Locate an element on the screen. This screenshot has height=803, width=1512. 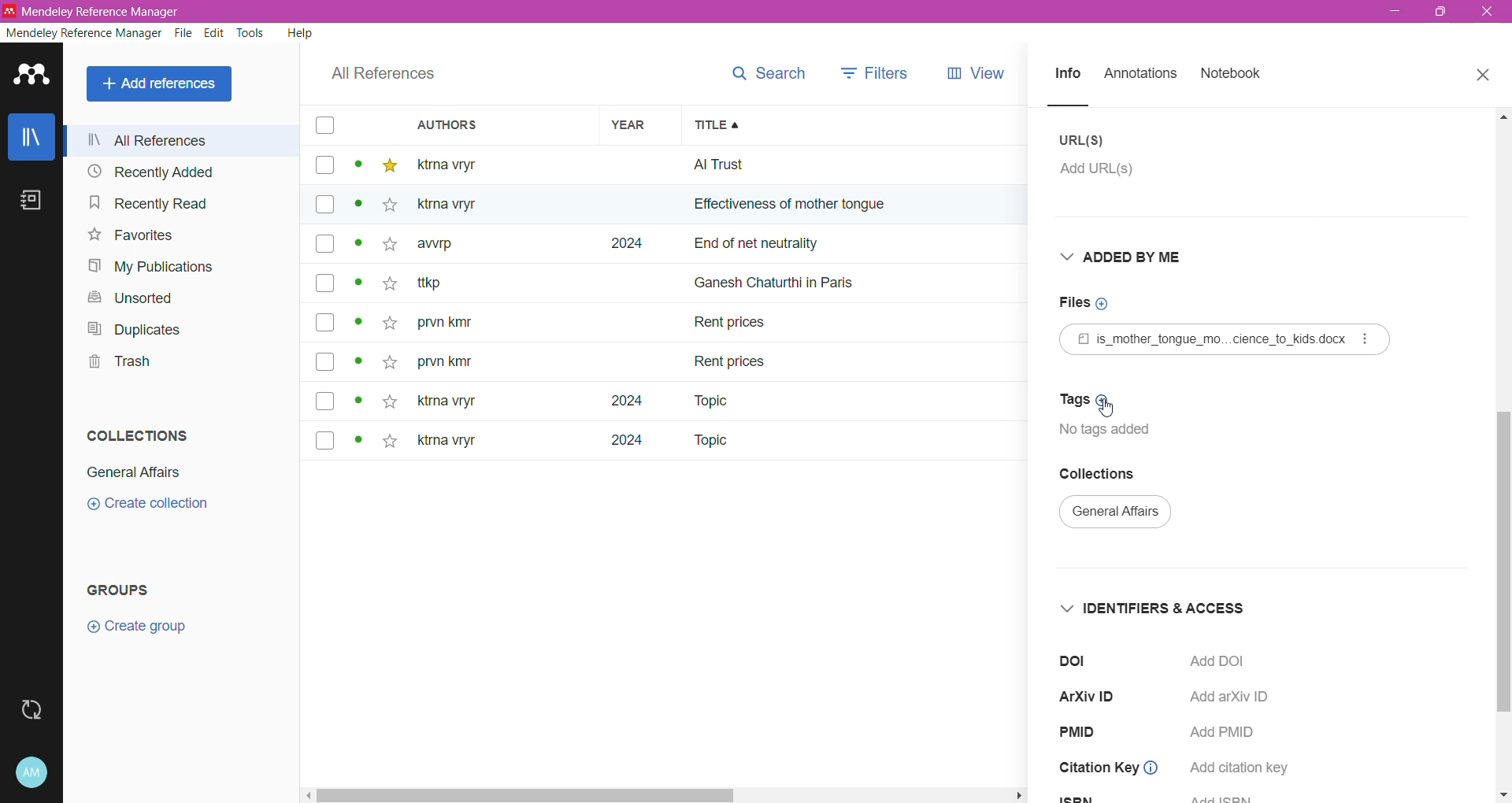
Account and Help is located at coordinates (32, 773).